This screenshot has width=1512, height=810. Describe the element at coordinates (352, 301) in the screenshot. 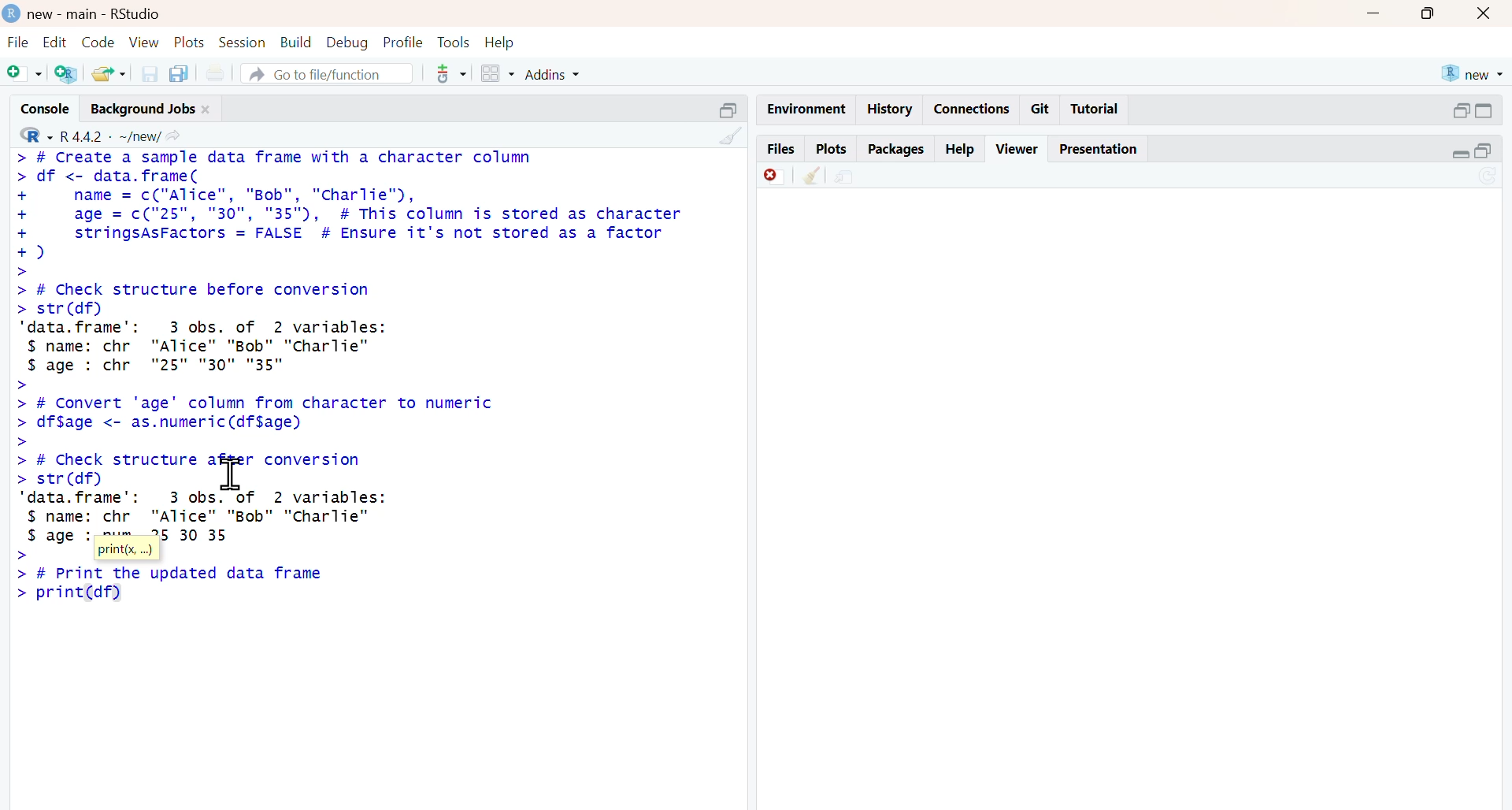

I see `> # Create a sample data frame with a character column
> df <- data.frame(
+ name = c("Alice", "Bob", "cCharlie"),
+ age = c("25", "30", "35"), # This column is stored as character
+ stringsAsFactors = FALSE # Ensure it's not stored as a factor
+)
>
> # Check structure before conversion
> str(df)
‘data. frame’: 3 obs. of 2 variables:
$ name: chr "Alice" "Bob" "Charlie"
$ age : chr "25" "30" "35"
>
> # Convert 'age' column from character to numeric
> df$age <- as.numeric(df$age)
>` at that location.